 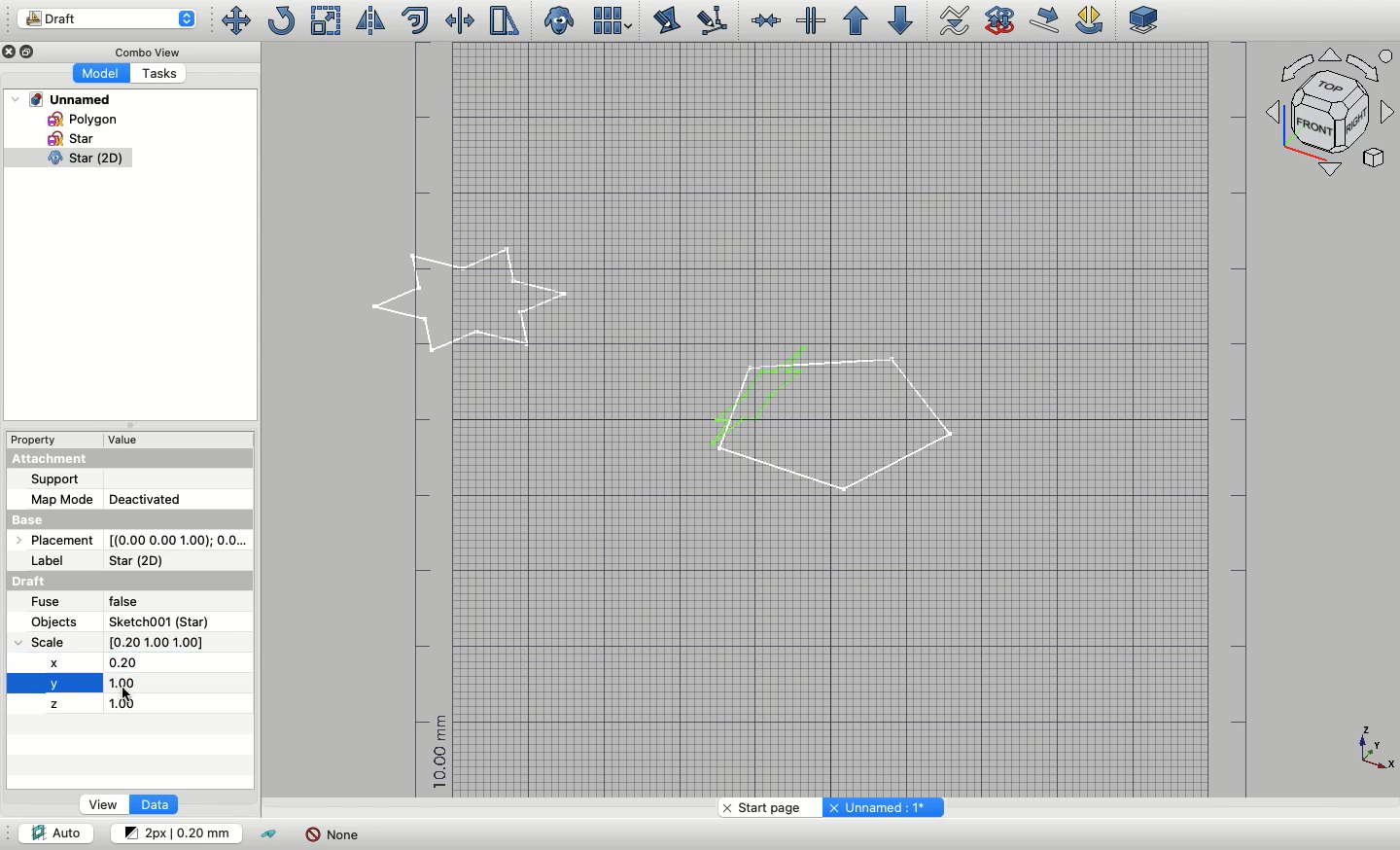 What do you see at coordinates (561, 21) in the screenshot?
I see `Close clone` at bounding box center [561, 21].